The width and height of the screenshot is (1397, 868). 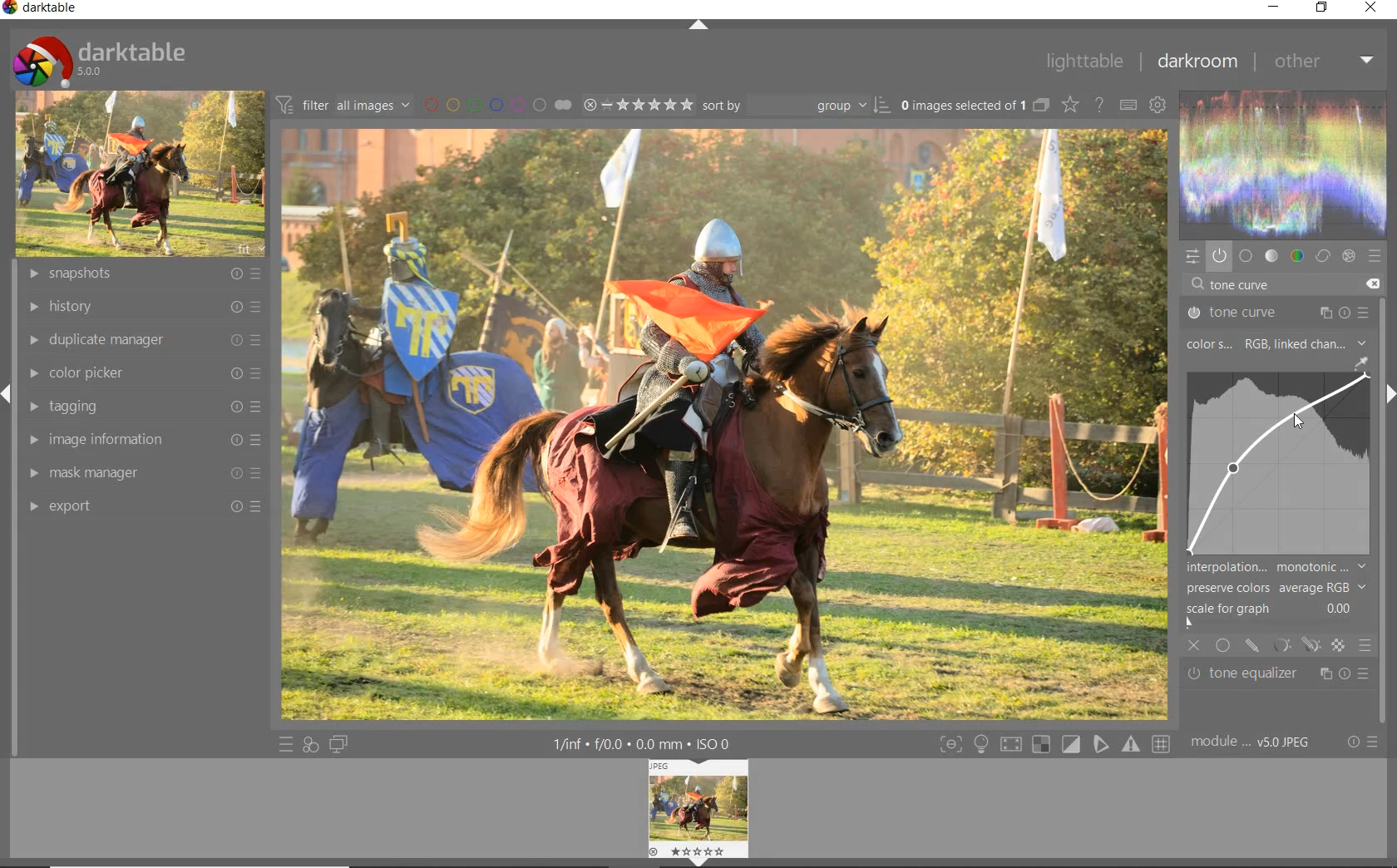 I want to click on quick access to presets, so click(x=286, y=745).